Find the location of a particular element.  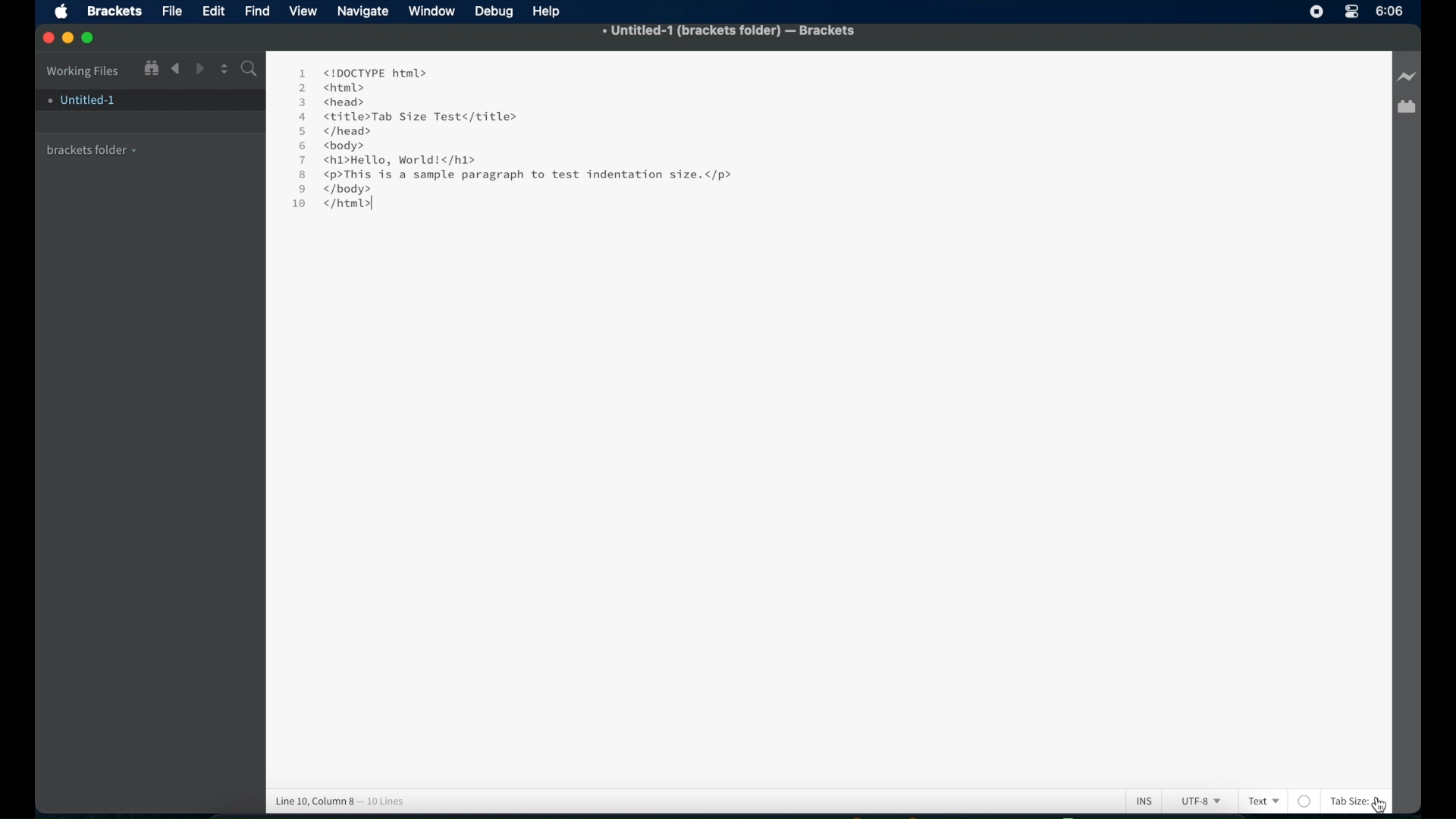

Brackets is located at coordinates (113, 10).